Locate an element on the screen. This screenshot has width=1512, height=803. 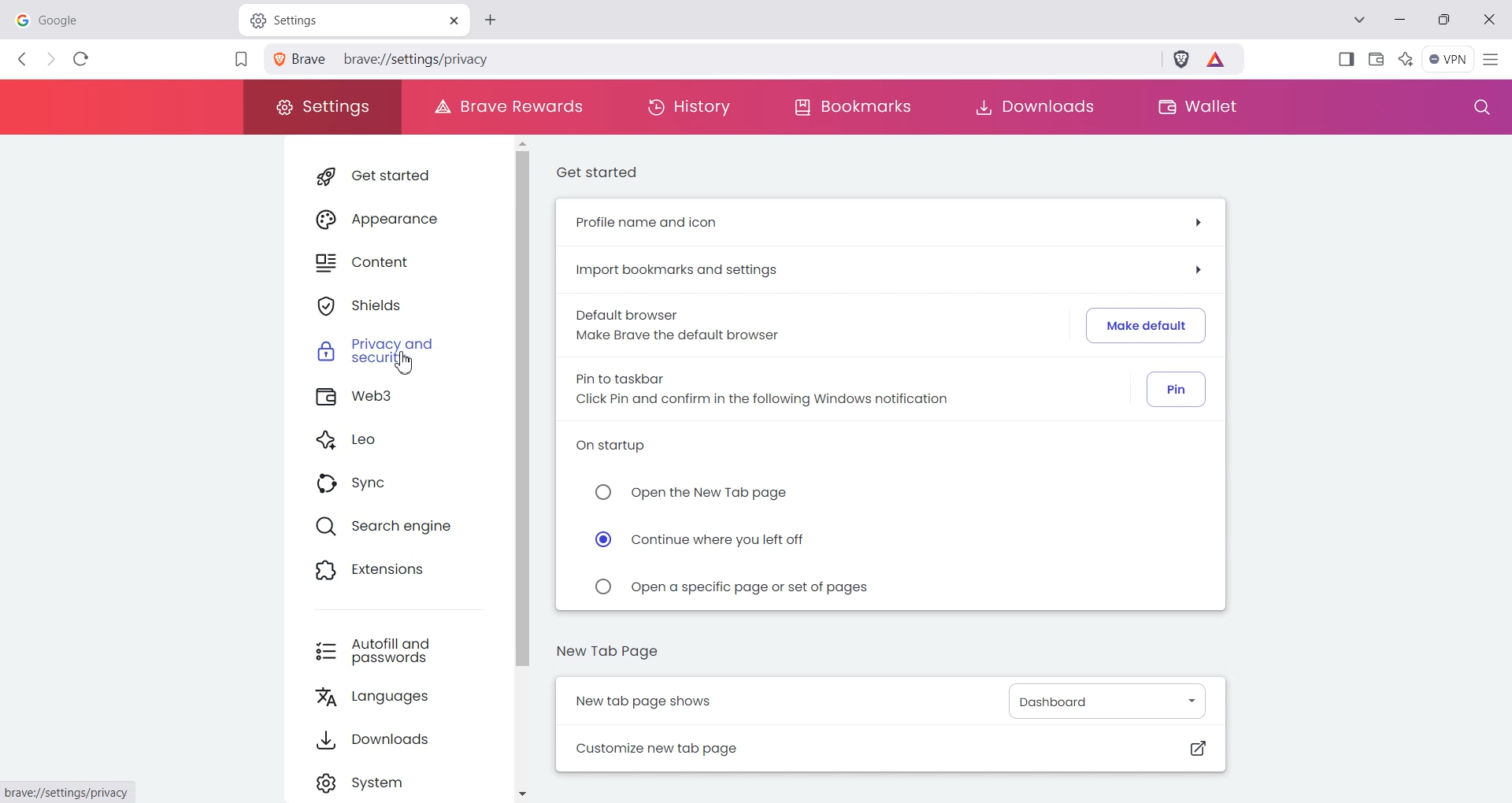
Import bookmarks and settings is located at coordinates (891, 270).